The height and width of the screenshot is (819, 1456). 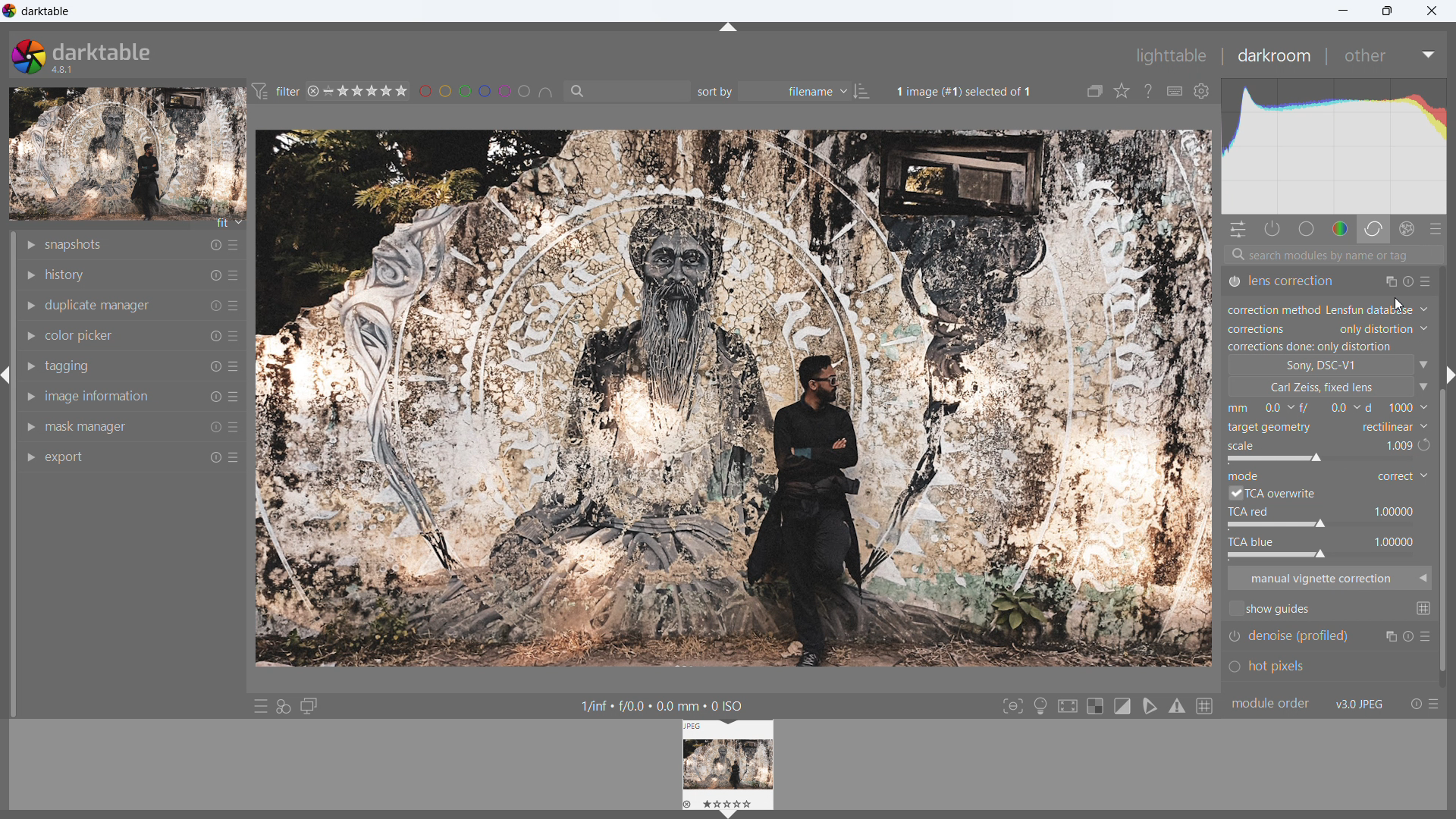 I want to click on filter images by color level, so click(x=485, y=92).